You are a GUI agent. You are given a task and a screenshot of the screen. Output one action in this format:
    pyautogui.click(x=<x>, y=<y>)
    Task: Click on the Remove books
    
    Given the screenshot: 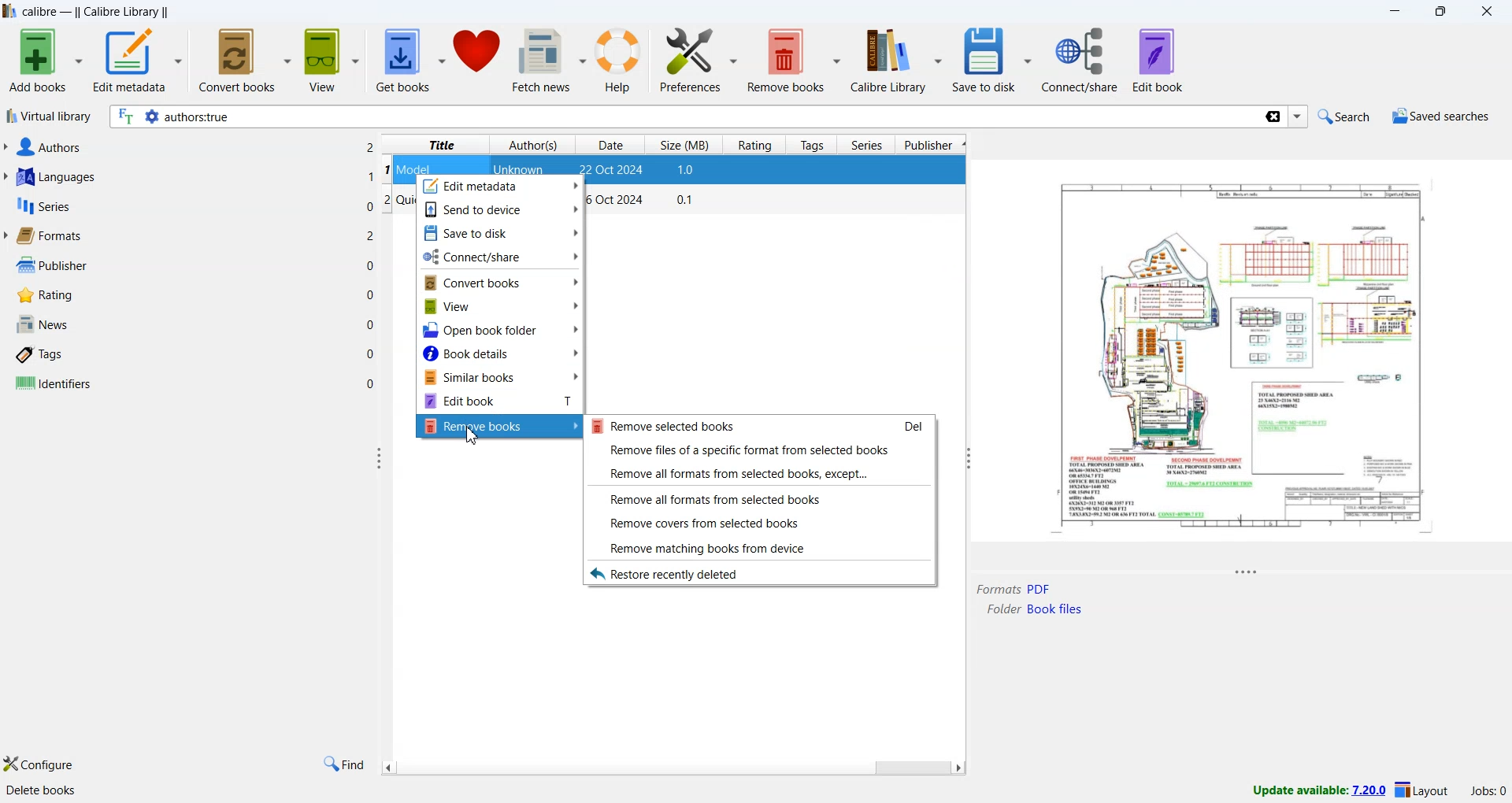 What is the action you would take?
    pyautogui.click(x=500, y=426)
    